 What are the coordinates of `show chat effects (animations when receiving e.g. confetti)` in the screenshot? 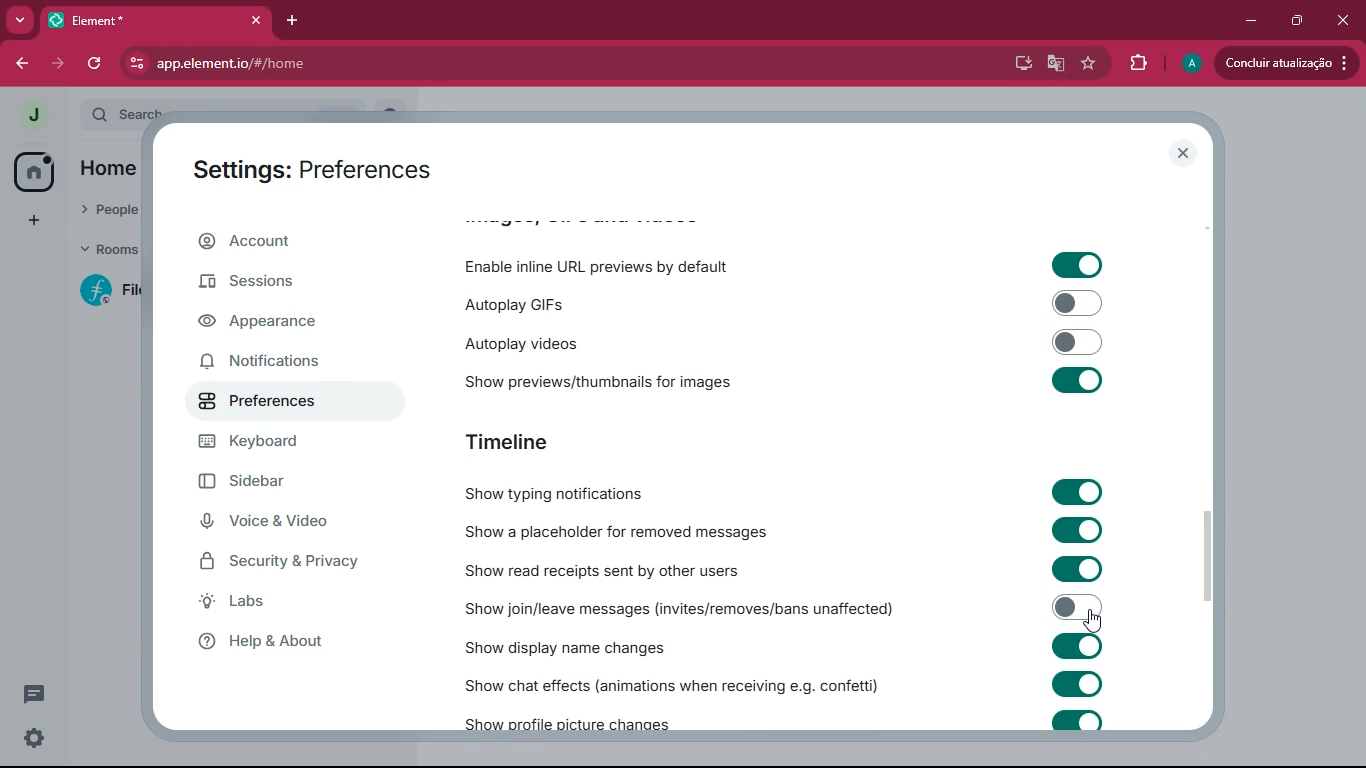 It's located at (665, 684).